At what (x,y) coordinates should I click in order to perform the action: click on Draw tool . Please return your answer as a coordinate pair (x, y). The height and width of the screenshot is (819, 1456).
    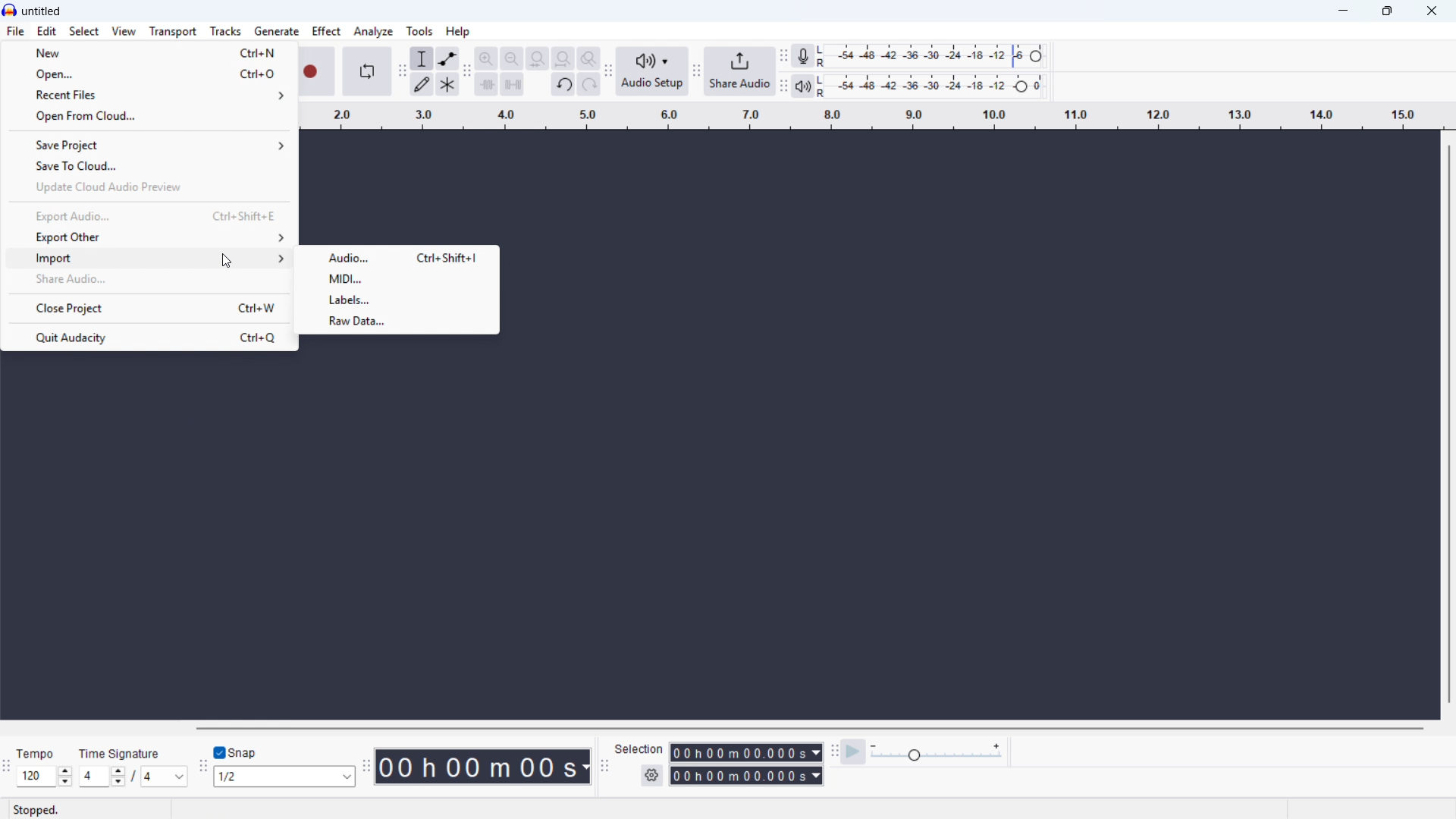
    Looking at the image, I should click on (422, 84).